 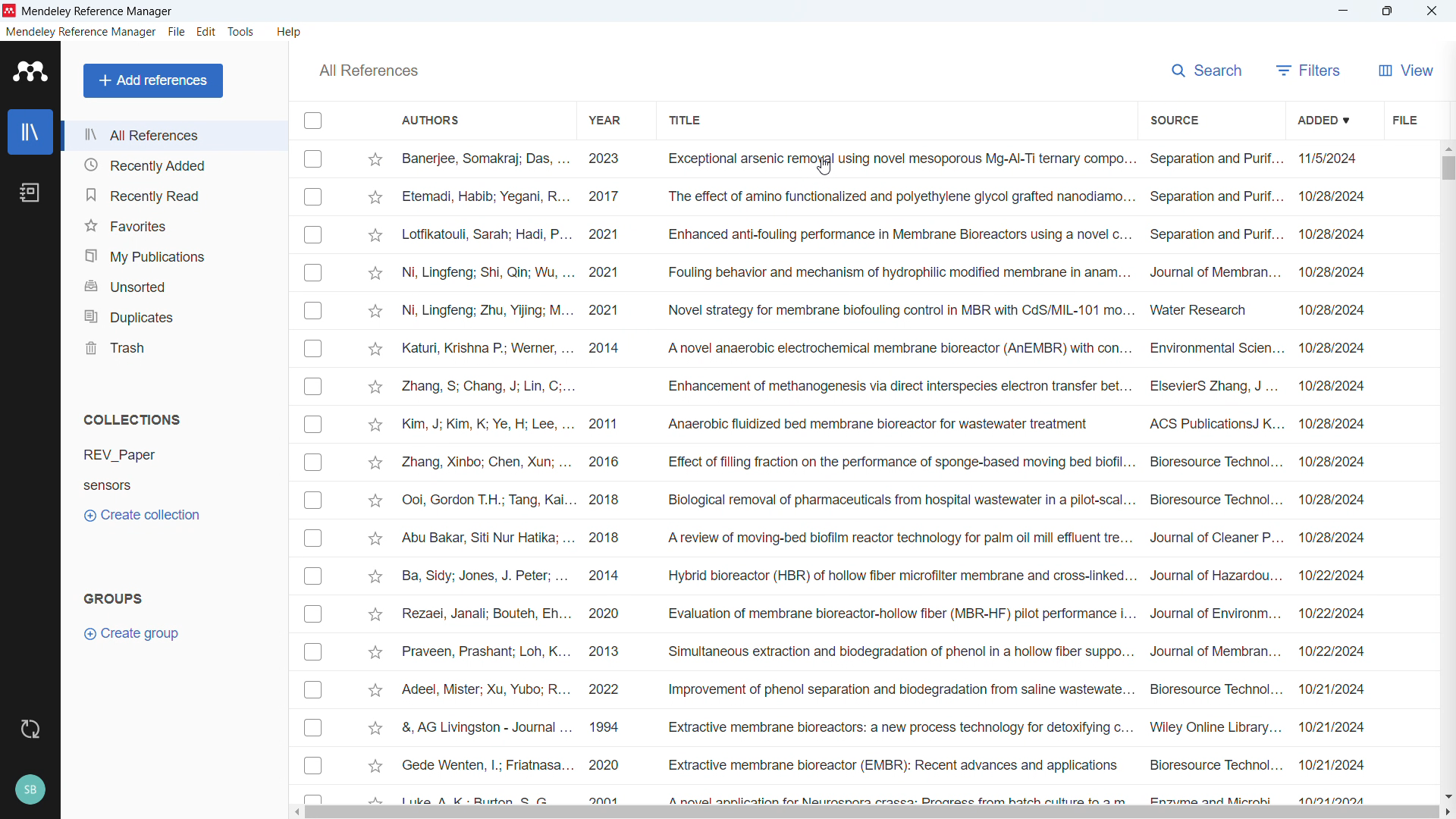 What do you see at coordinates (608, 426) in the screenshot?
I see `2011` at bounding box center [608, 426].